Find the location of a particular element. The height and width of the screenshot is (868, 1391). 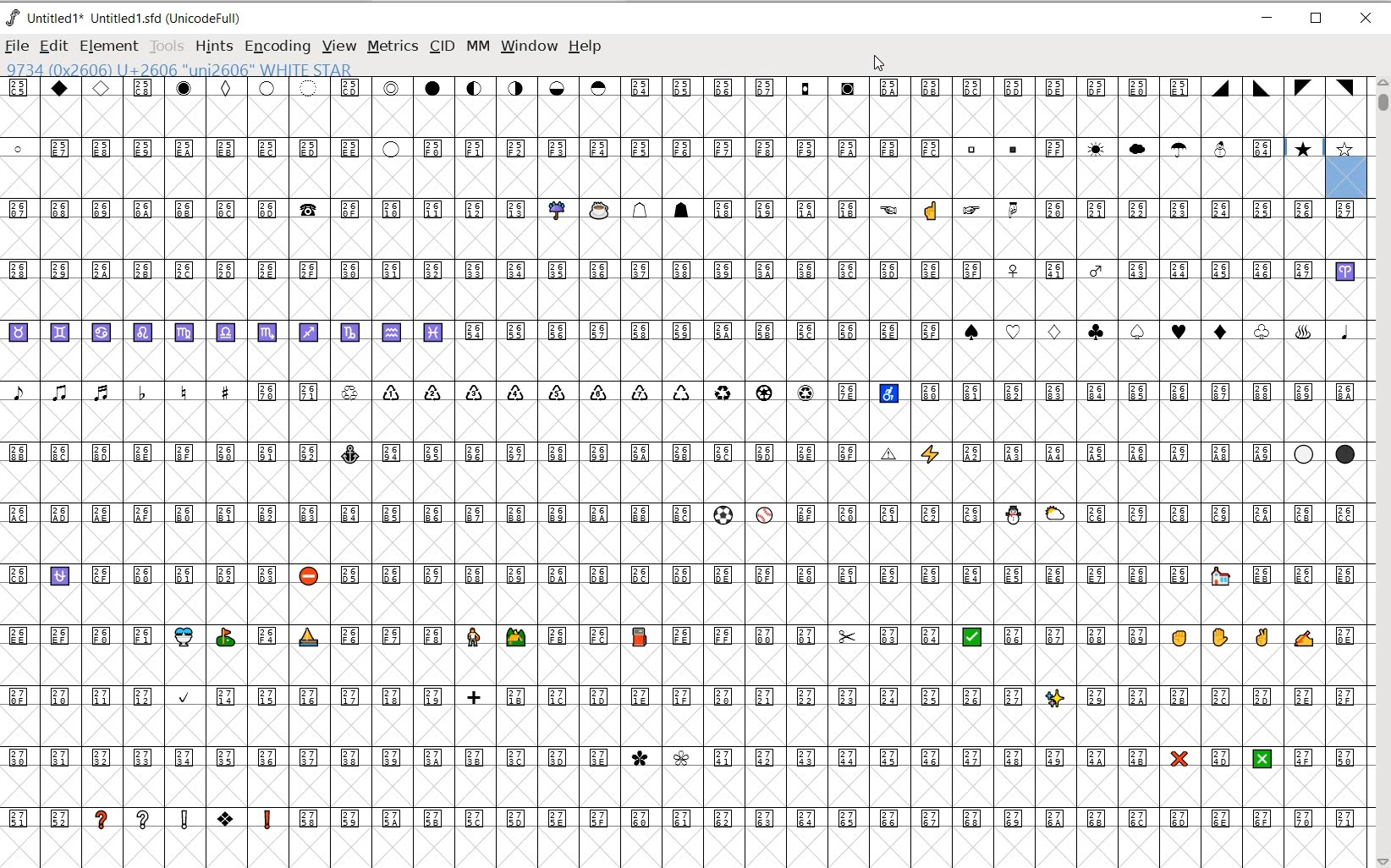

glyph slot is located at coordinates (1348, 170).